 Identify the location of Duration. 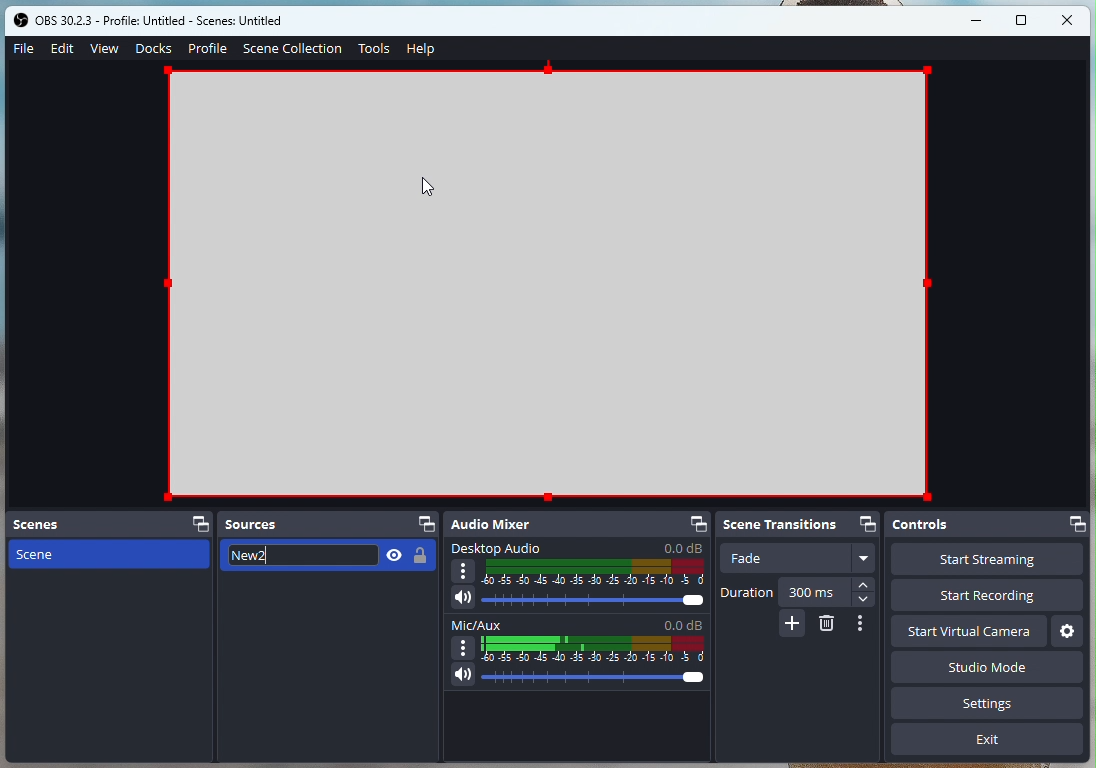
(798, 592).